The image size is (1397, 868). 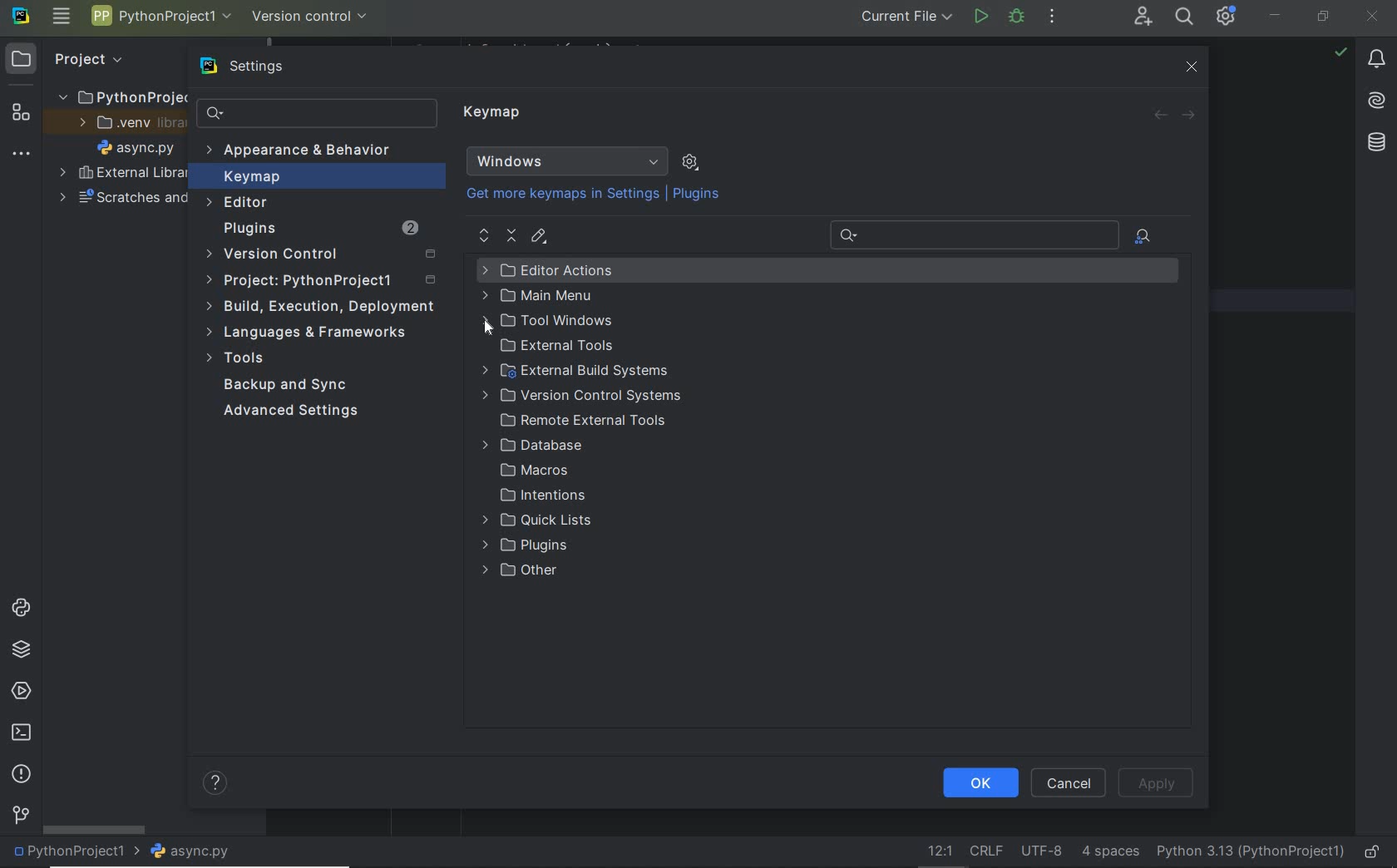 I want to click on external build systems, so click(x=574, y=372).